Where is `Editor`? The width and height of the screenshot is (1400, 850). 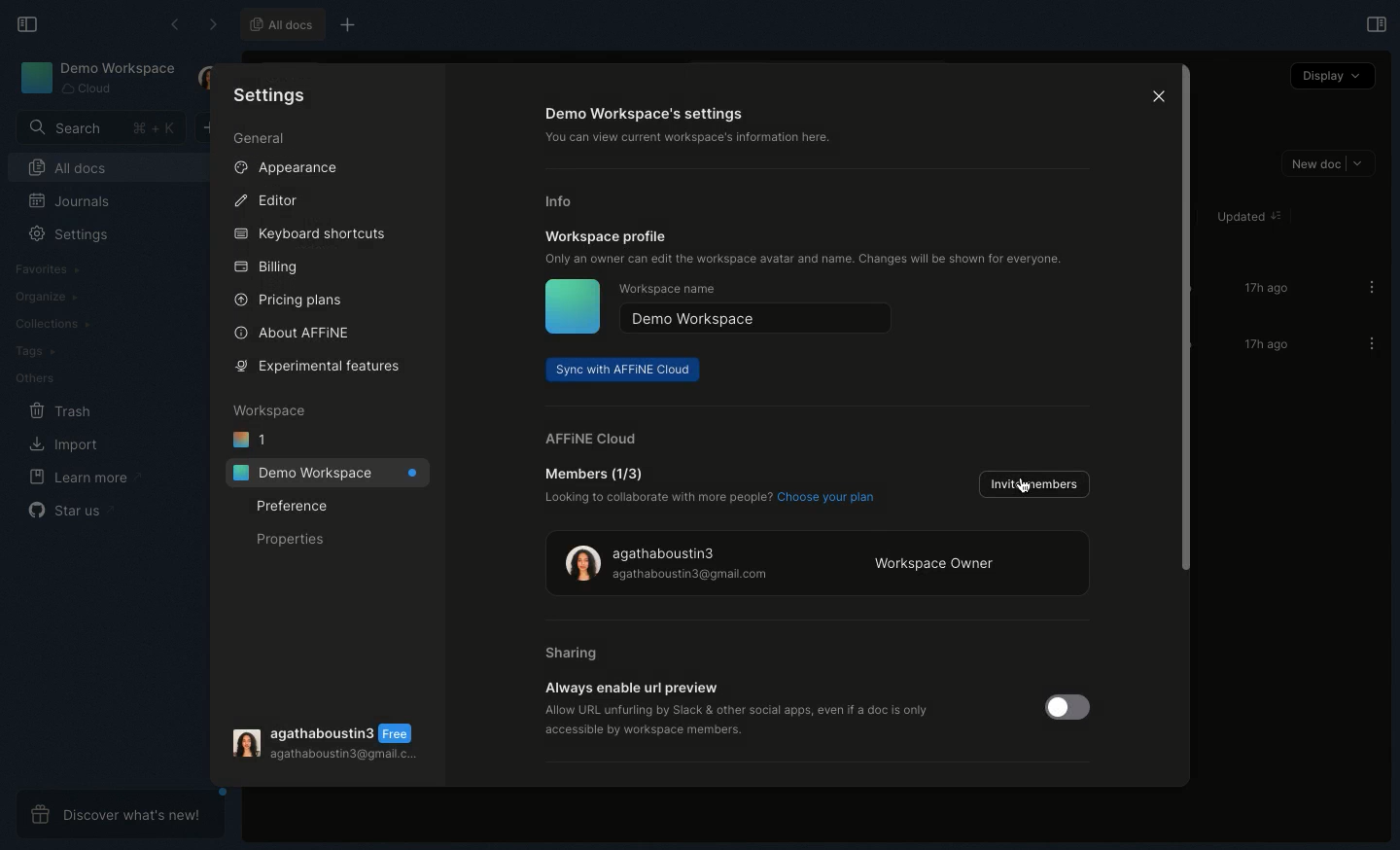
Editor is located at coordinates (264, 199).